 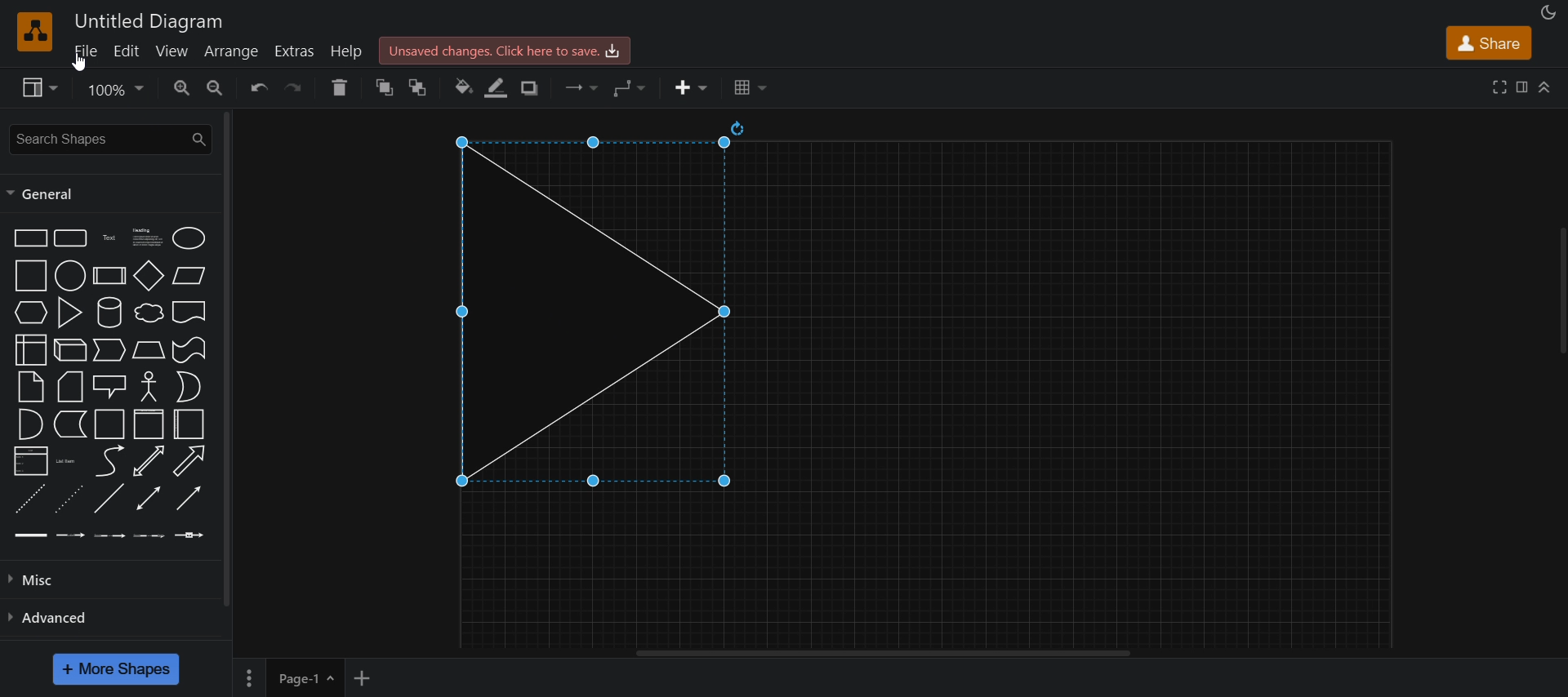 I want to click on text box, so click(x=148, y=237).